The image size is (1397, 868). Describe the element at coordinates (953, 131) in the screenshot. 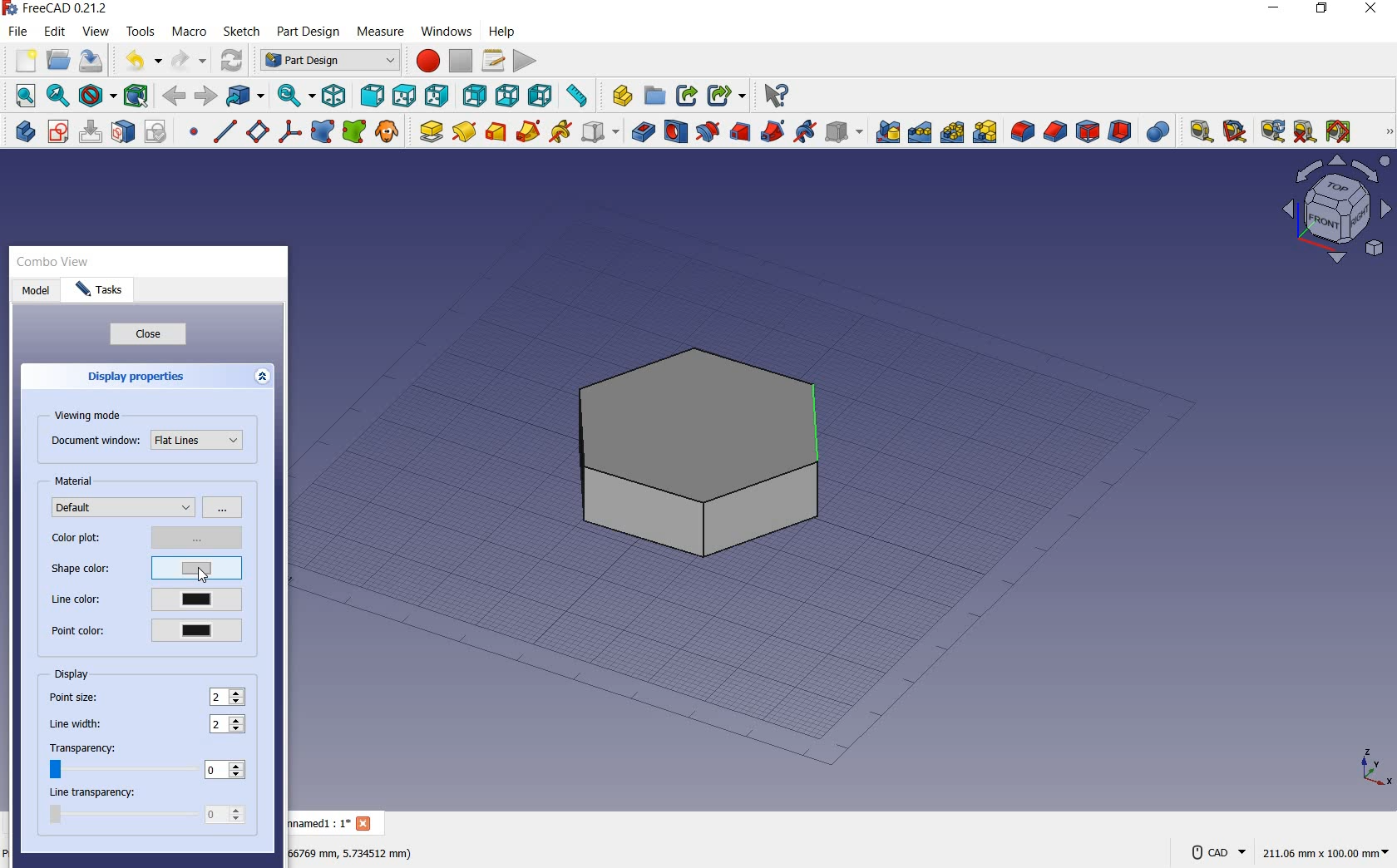

I see `polar pattern` at that location.